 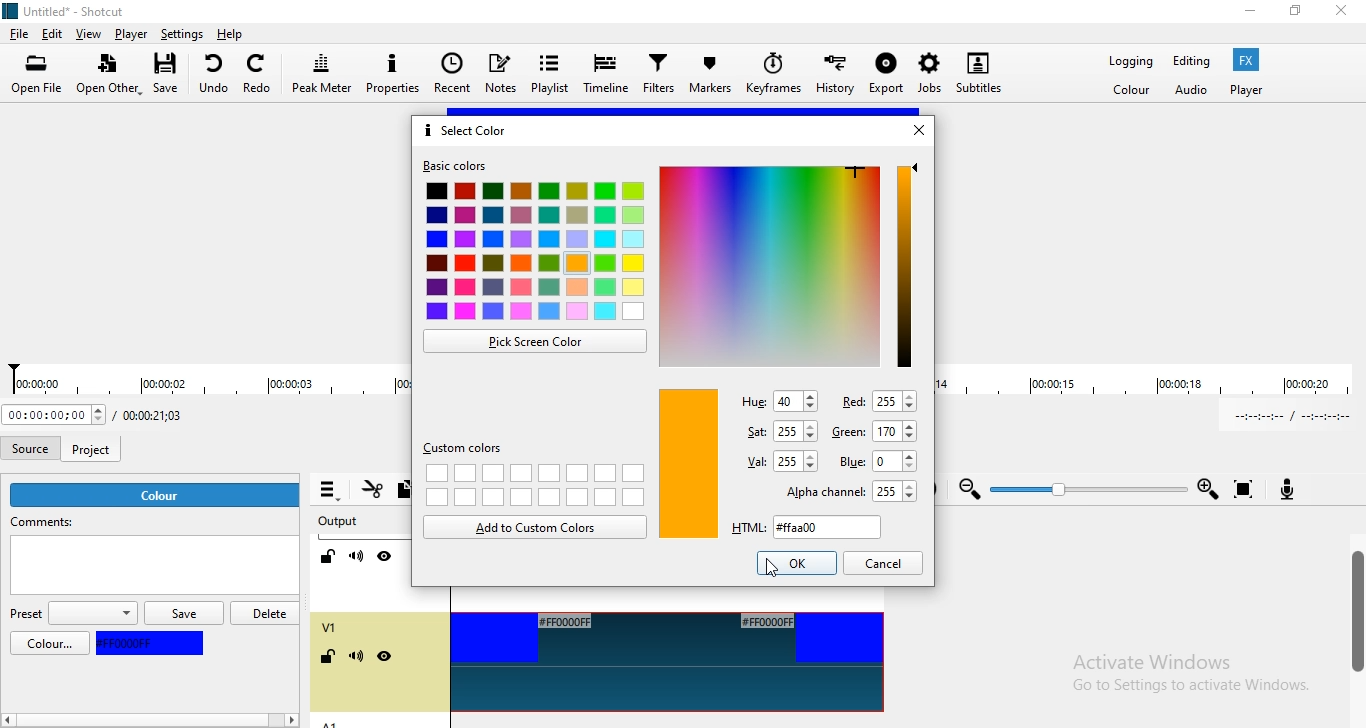 I want to click on close, so click(x=1346, y=12).